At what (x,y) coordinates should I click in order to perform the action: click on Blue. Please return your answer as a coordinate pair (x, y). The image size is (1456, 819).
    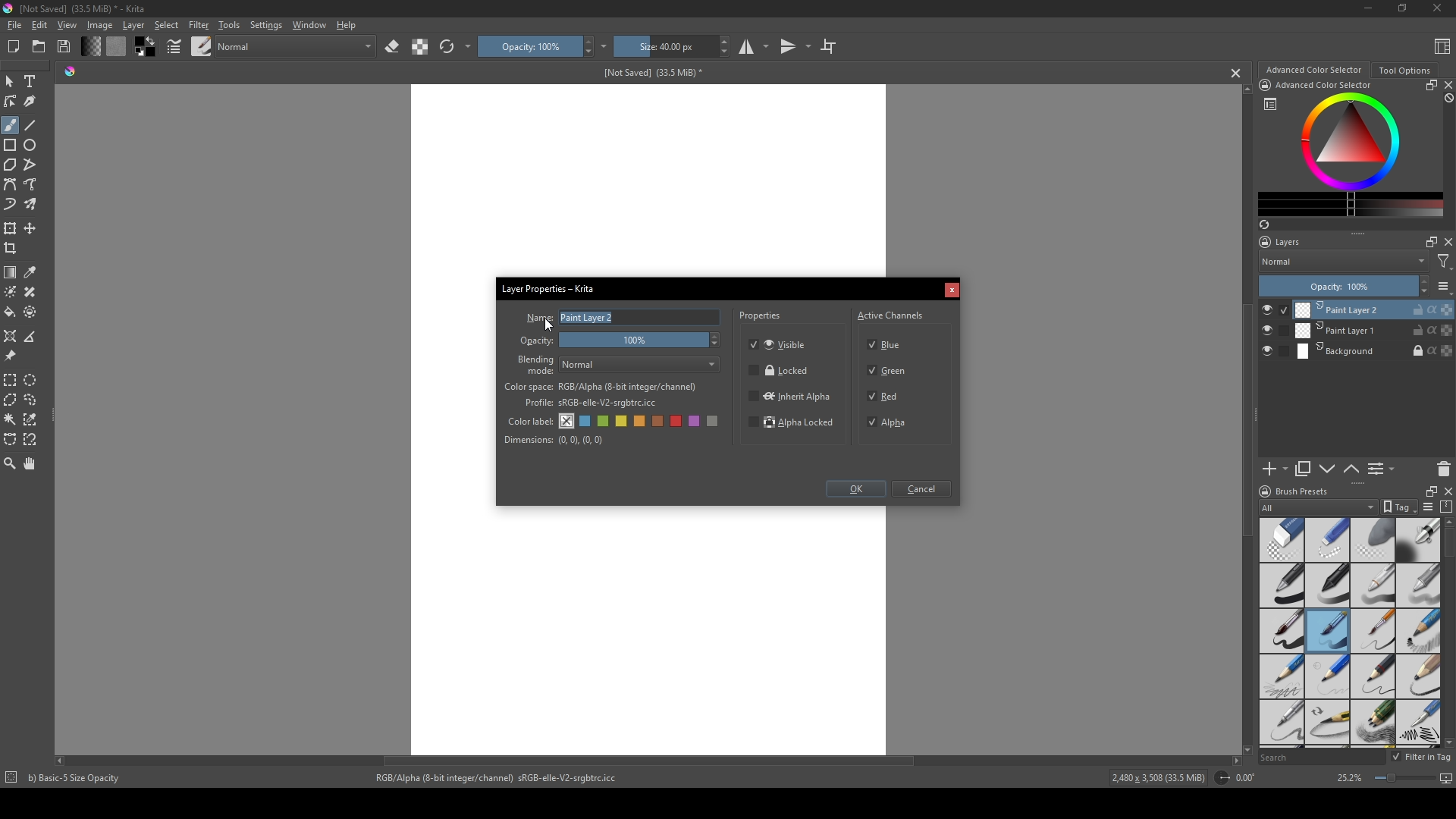
    Looking at the image, I should click on (888, 343).